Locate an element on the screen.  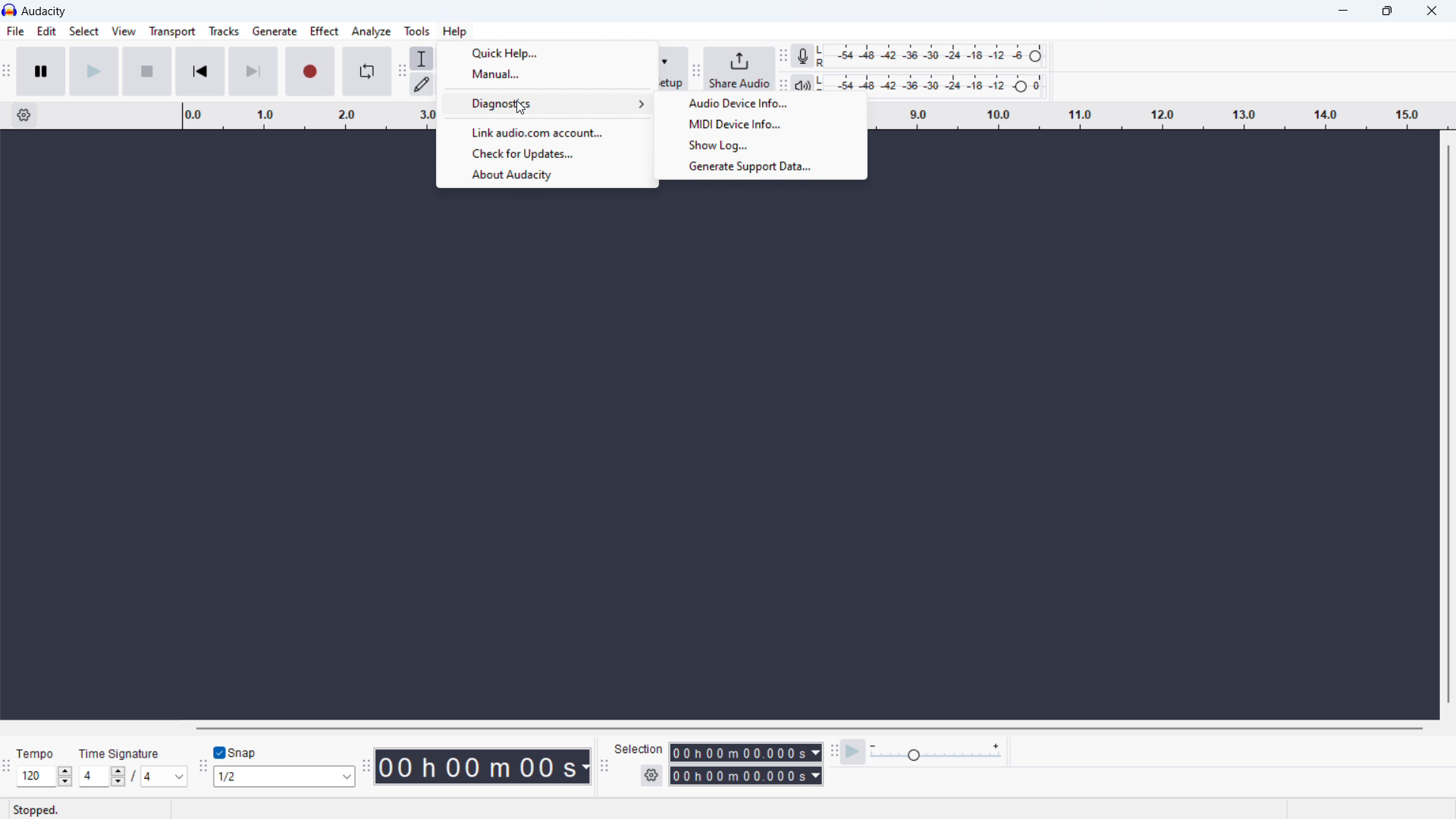
file is located at coordinates (14, 31).